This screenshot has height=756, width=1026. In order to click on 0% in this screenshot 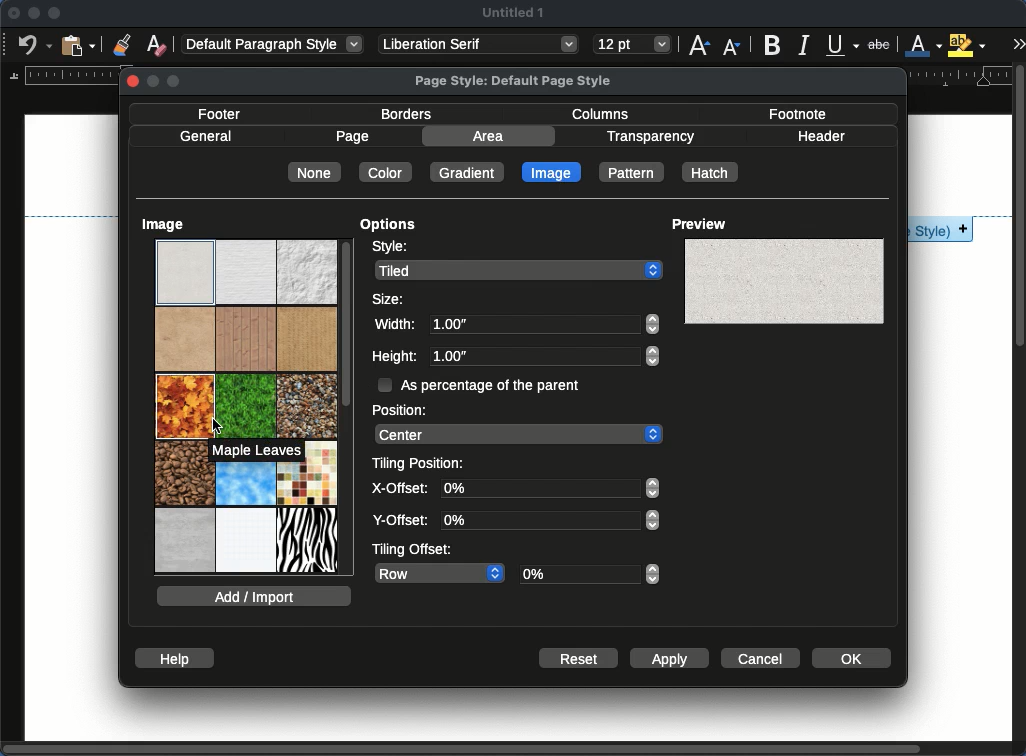, I will do `click(589, 575)`.